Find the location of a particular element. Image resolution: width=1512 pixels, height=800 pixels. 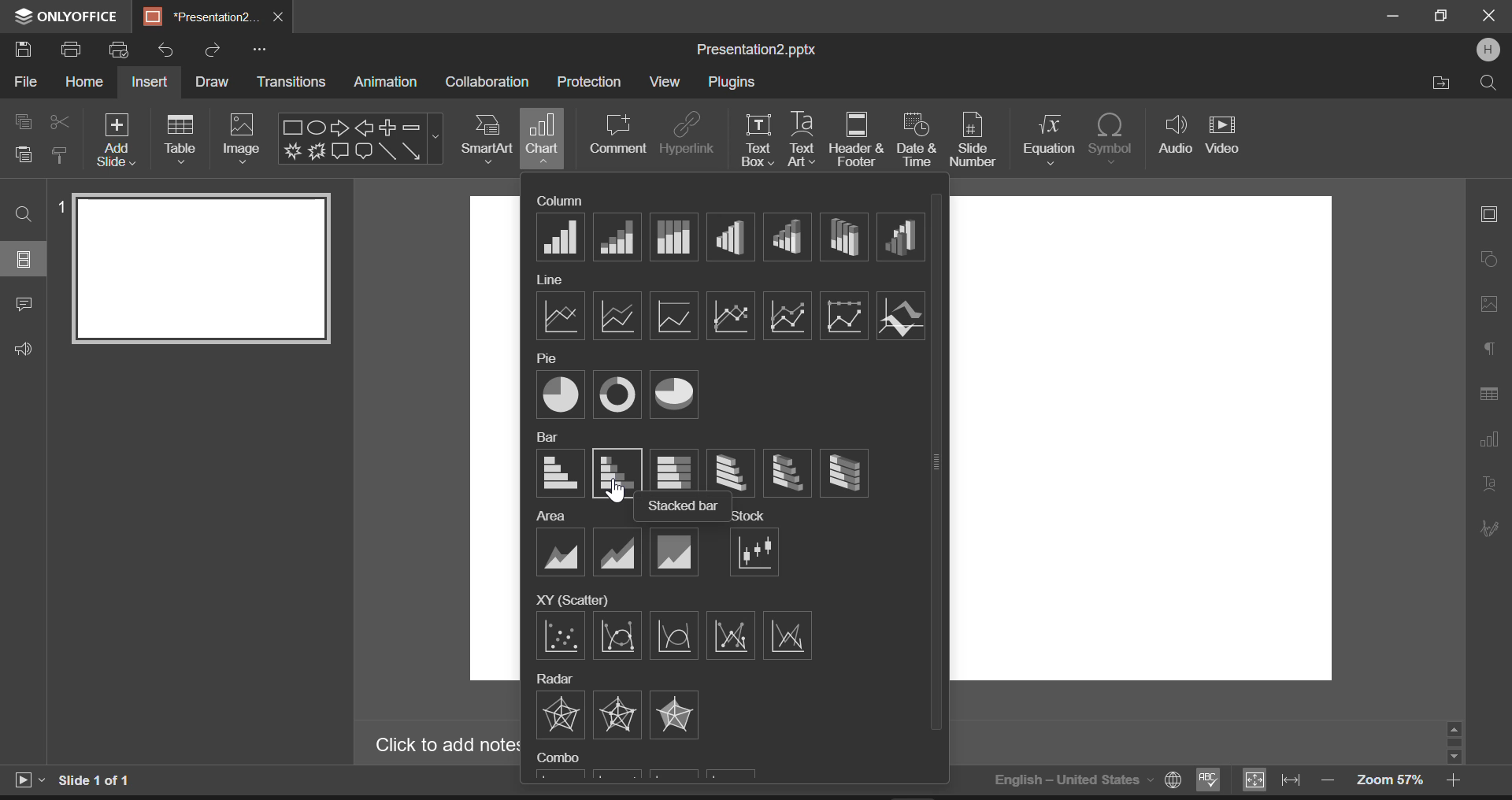

Plugins is located at coordinates (731, 83).